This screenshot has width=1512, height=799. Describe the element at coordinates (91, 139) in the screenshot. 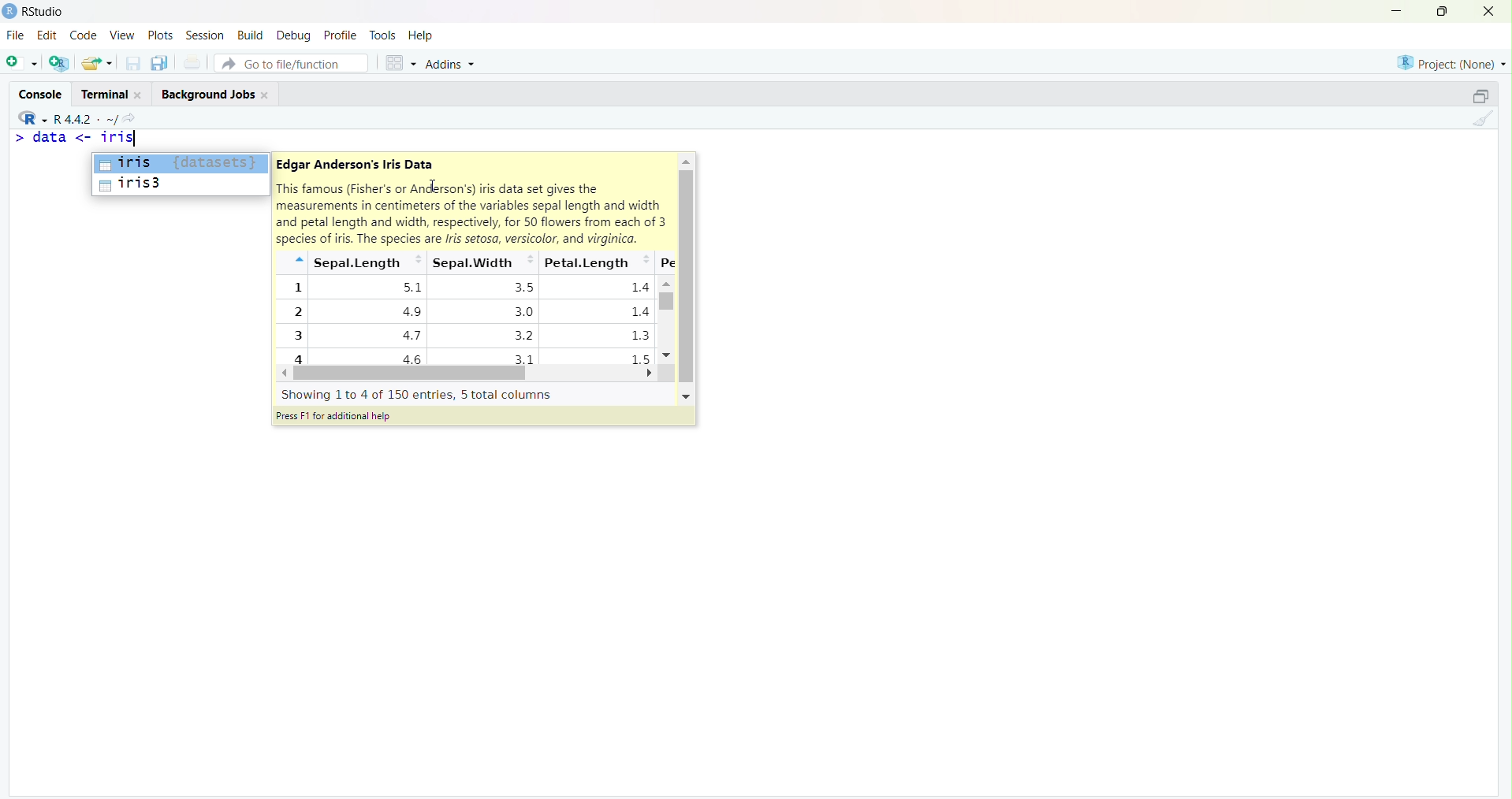

I see `data <- iris` at that location.